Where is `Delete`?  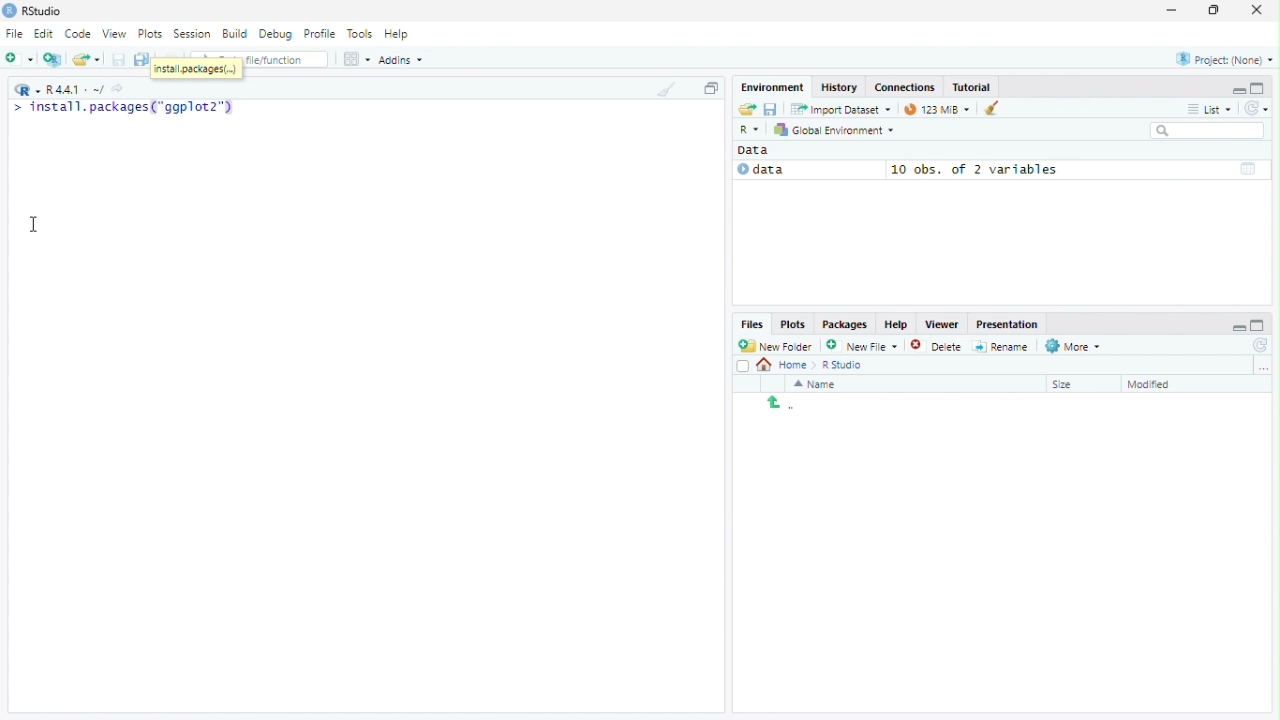
Delete is located at coordinates (937, 345).